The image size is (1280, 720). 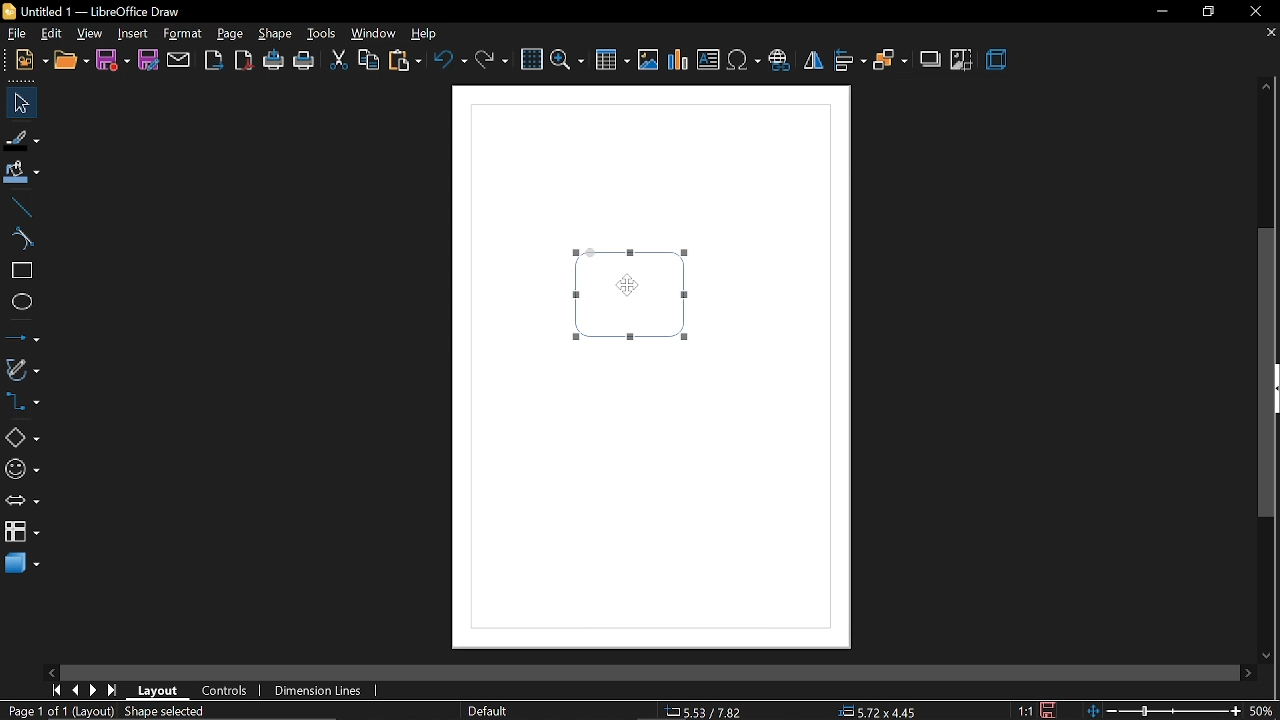 What do you see at coordinates (21, 401) in the screenshot?
I see `connectors` at bounding box center [21, 401].